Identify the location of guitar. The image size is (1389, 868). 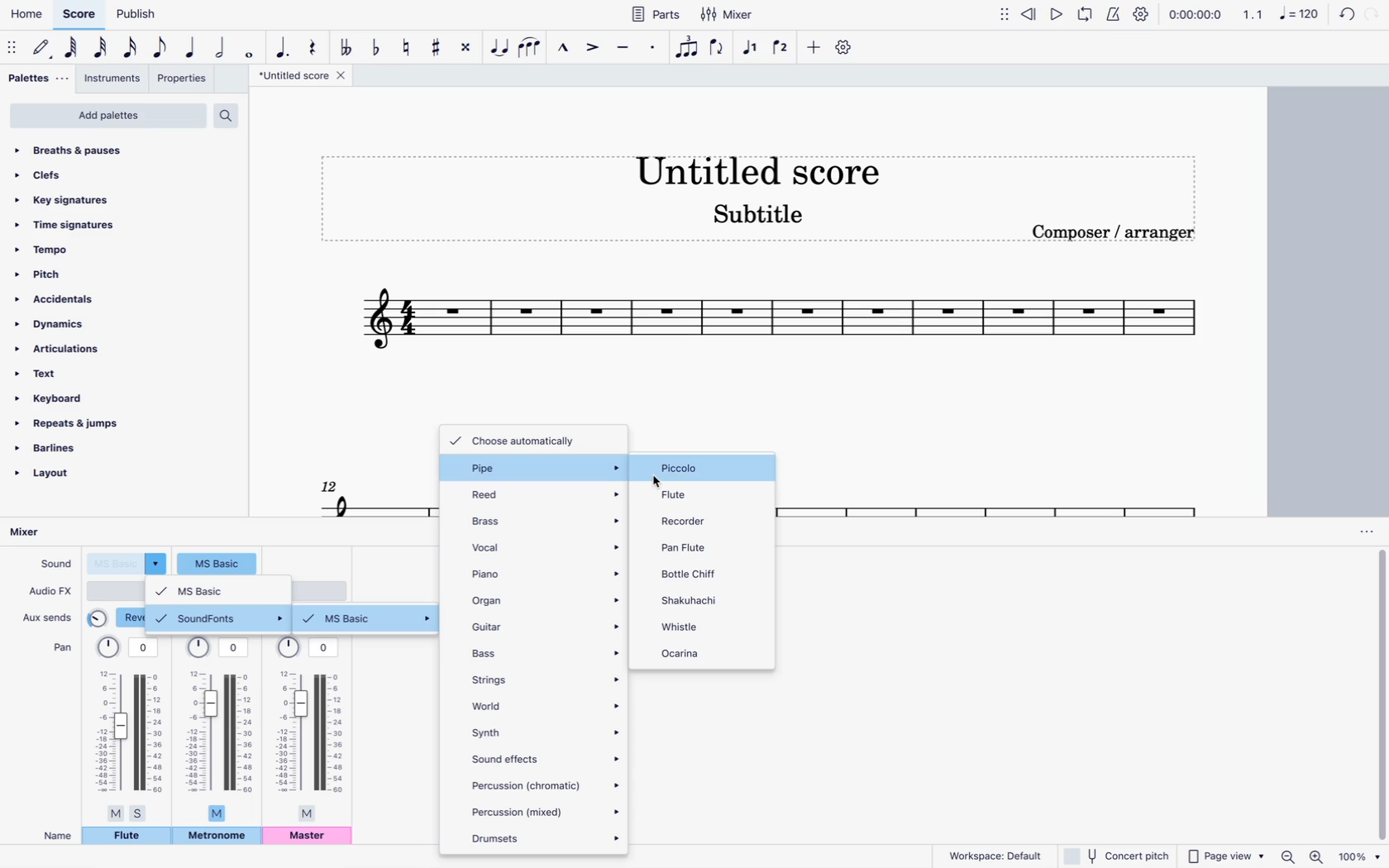
(545, 627).